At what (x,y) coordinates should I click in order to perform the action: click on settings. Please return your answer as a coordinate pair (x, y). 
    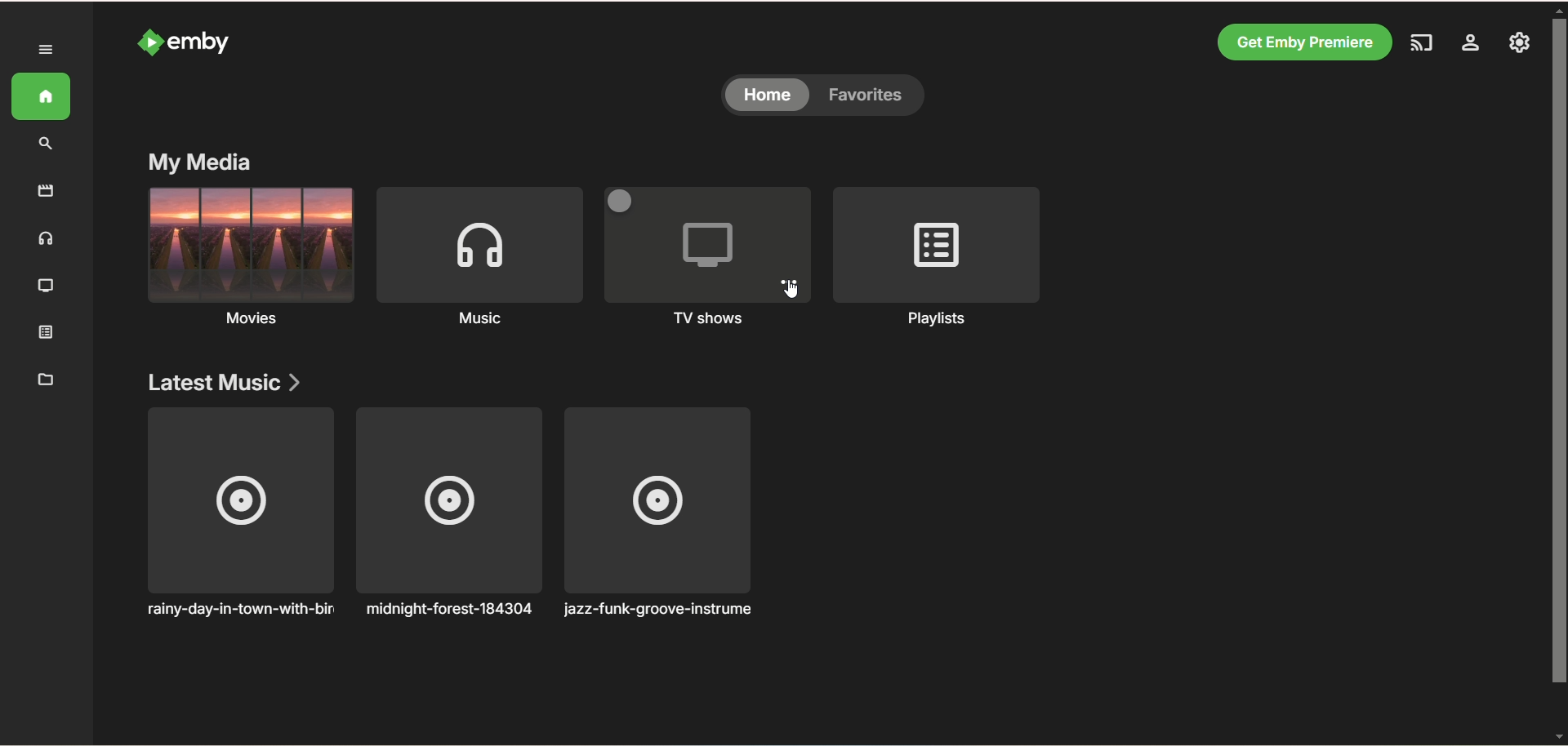
    Looking at the image, I should click on (1469, 45).